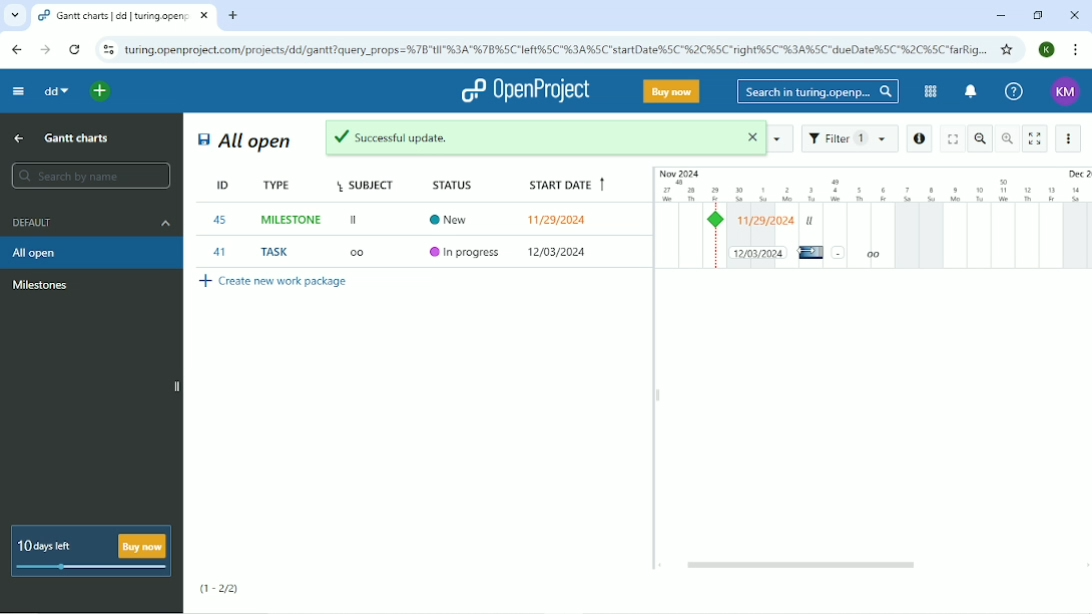  What do you see at coordinates (245, 141) in the screenshot?
I see `All open` at bounding box center [245, 141].